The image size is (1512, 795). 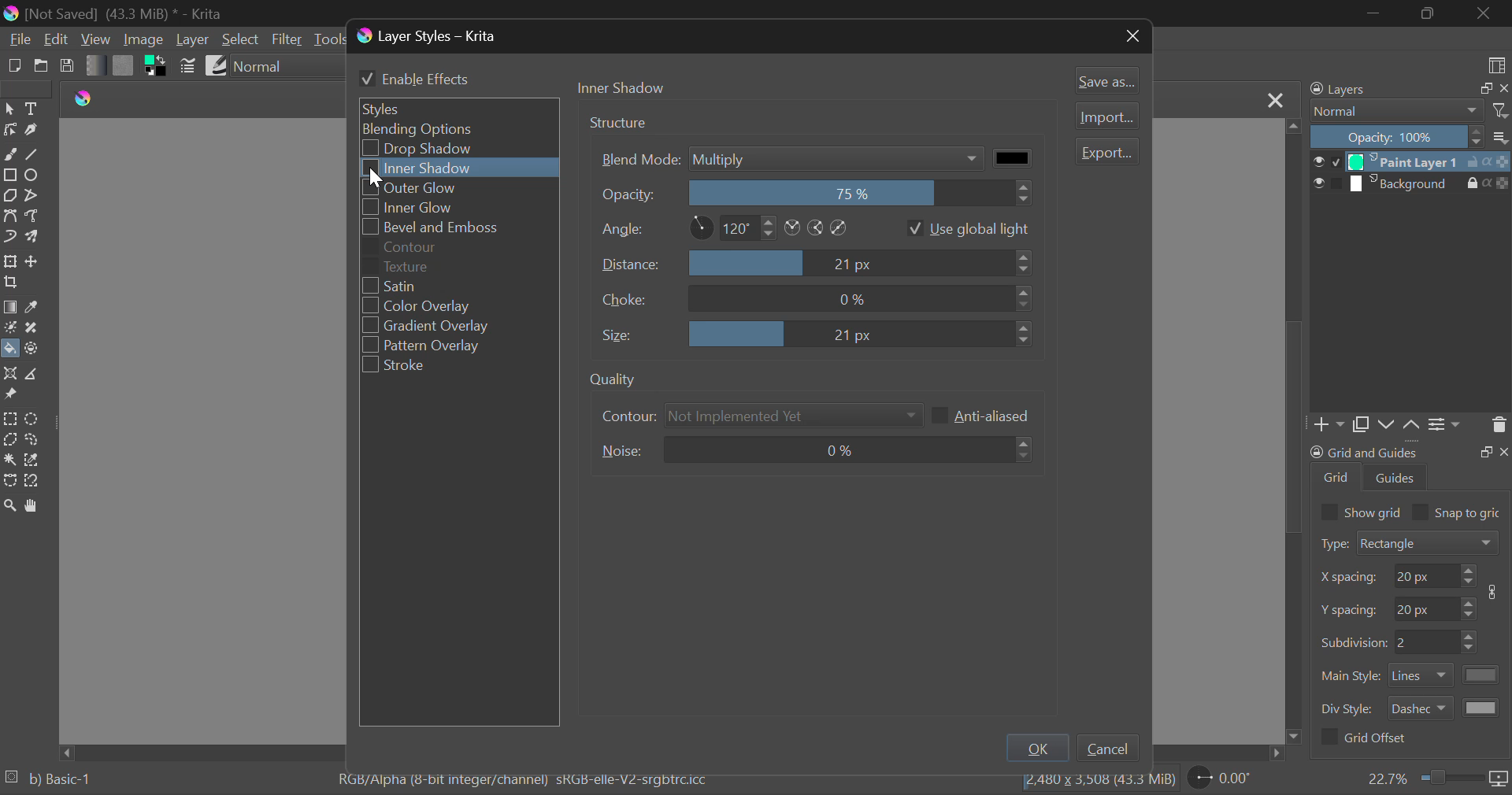 What do you see at coordinates (217, 65) in the screenshot?
I see `Brush Presets` at bounding box center [217, 65].